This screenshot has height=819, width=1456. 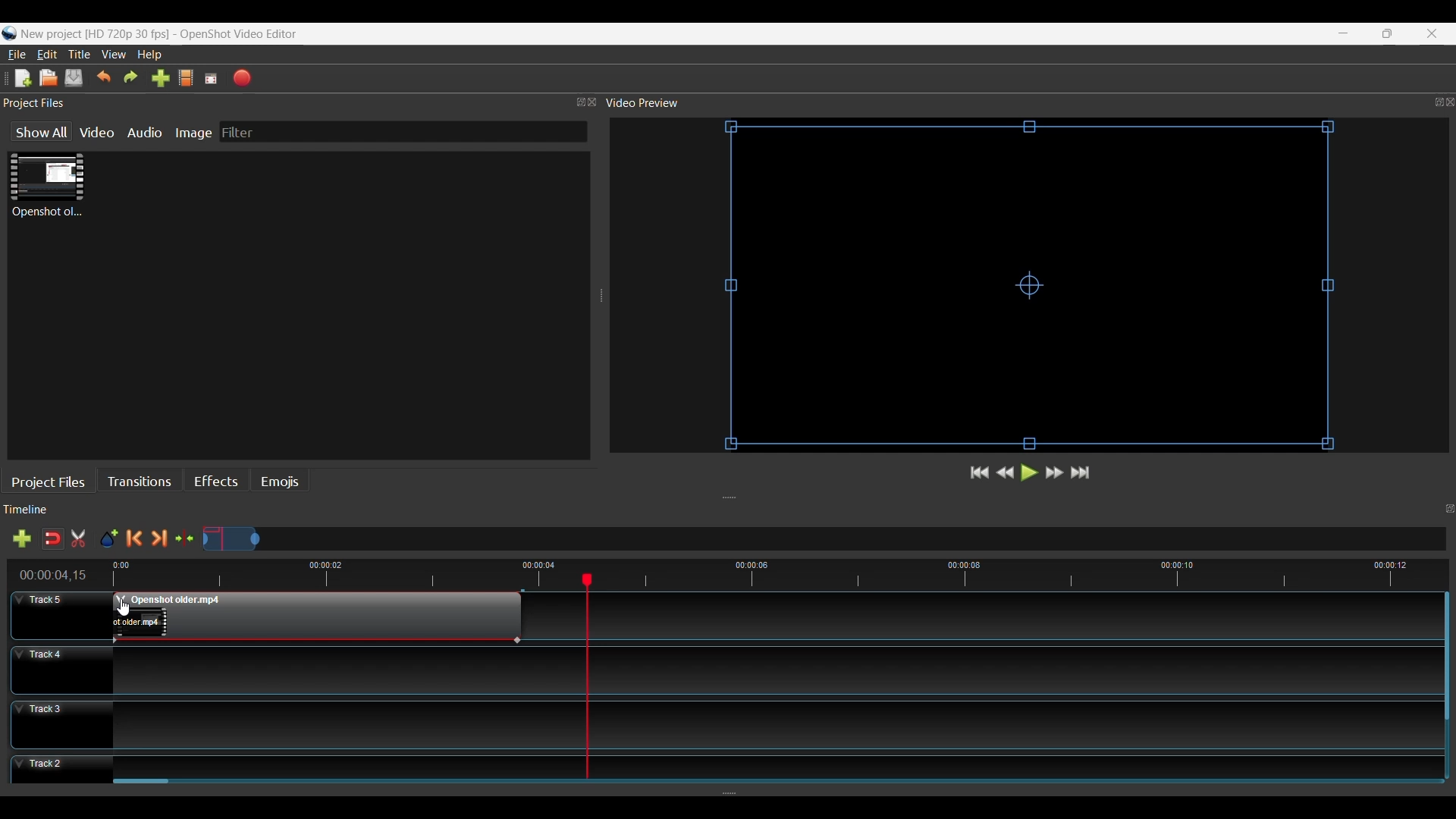 What do you see at coordinates (212, 78) in the screenshot?
I see `Fullscreen` at bounding box center [212, 78].